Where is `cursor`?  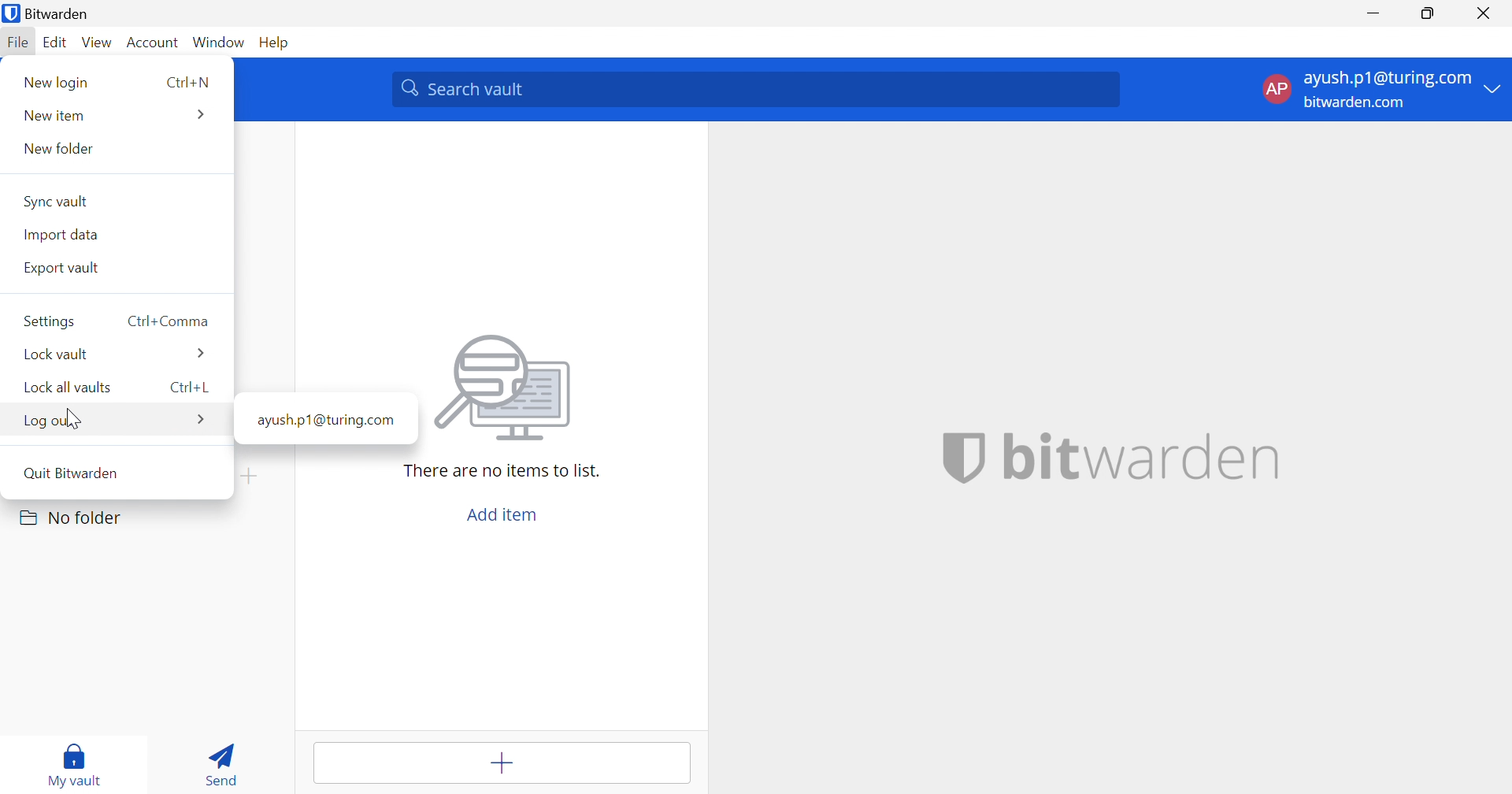
cursor is located at coordinates (74, 422).